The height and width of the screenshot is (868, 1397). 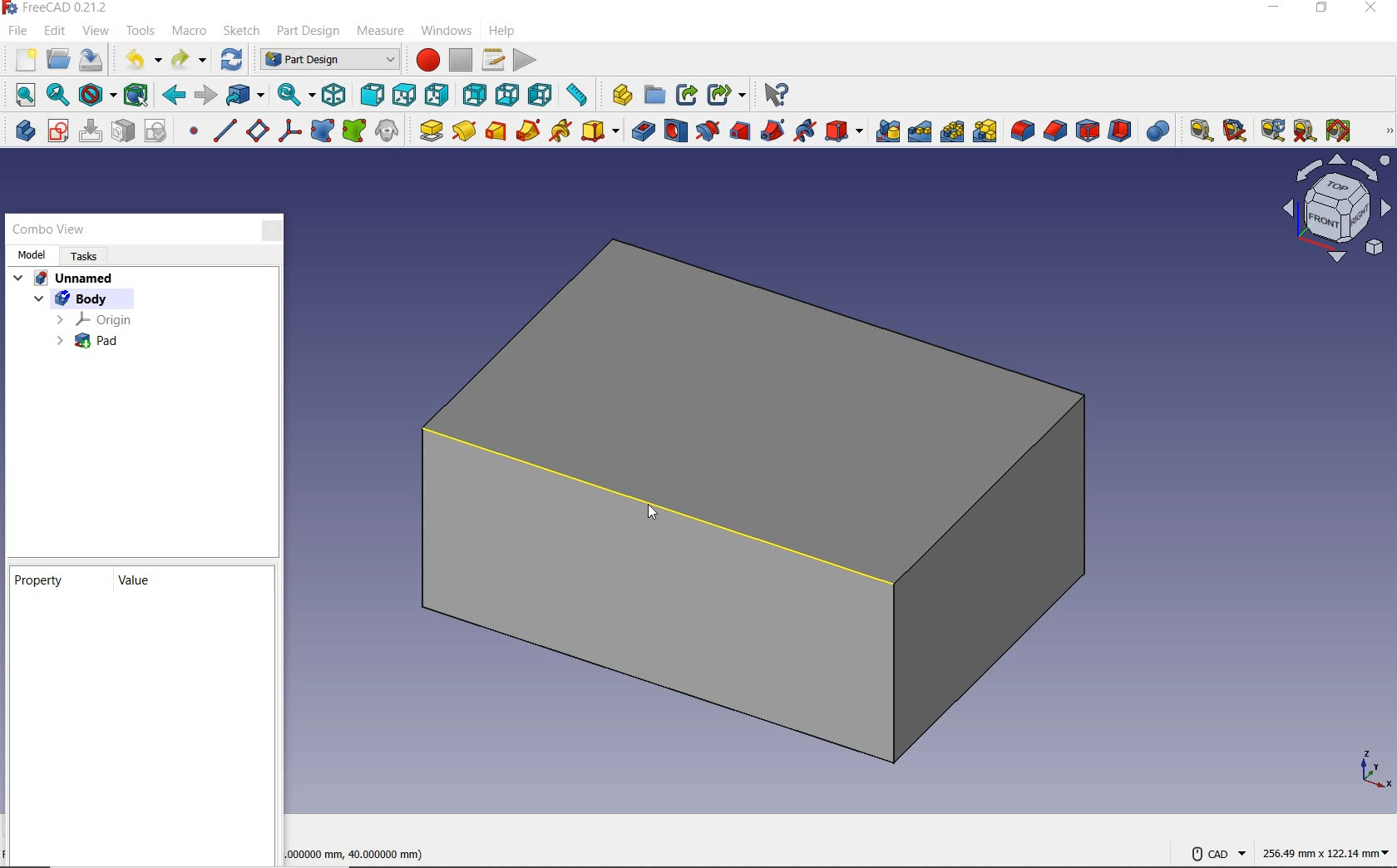 I want to click on create an additive primitive, so click(x=600, y=132).